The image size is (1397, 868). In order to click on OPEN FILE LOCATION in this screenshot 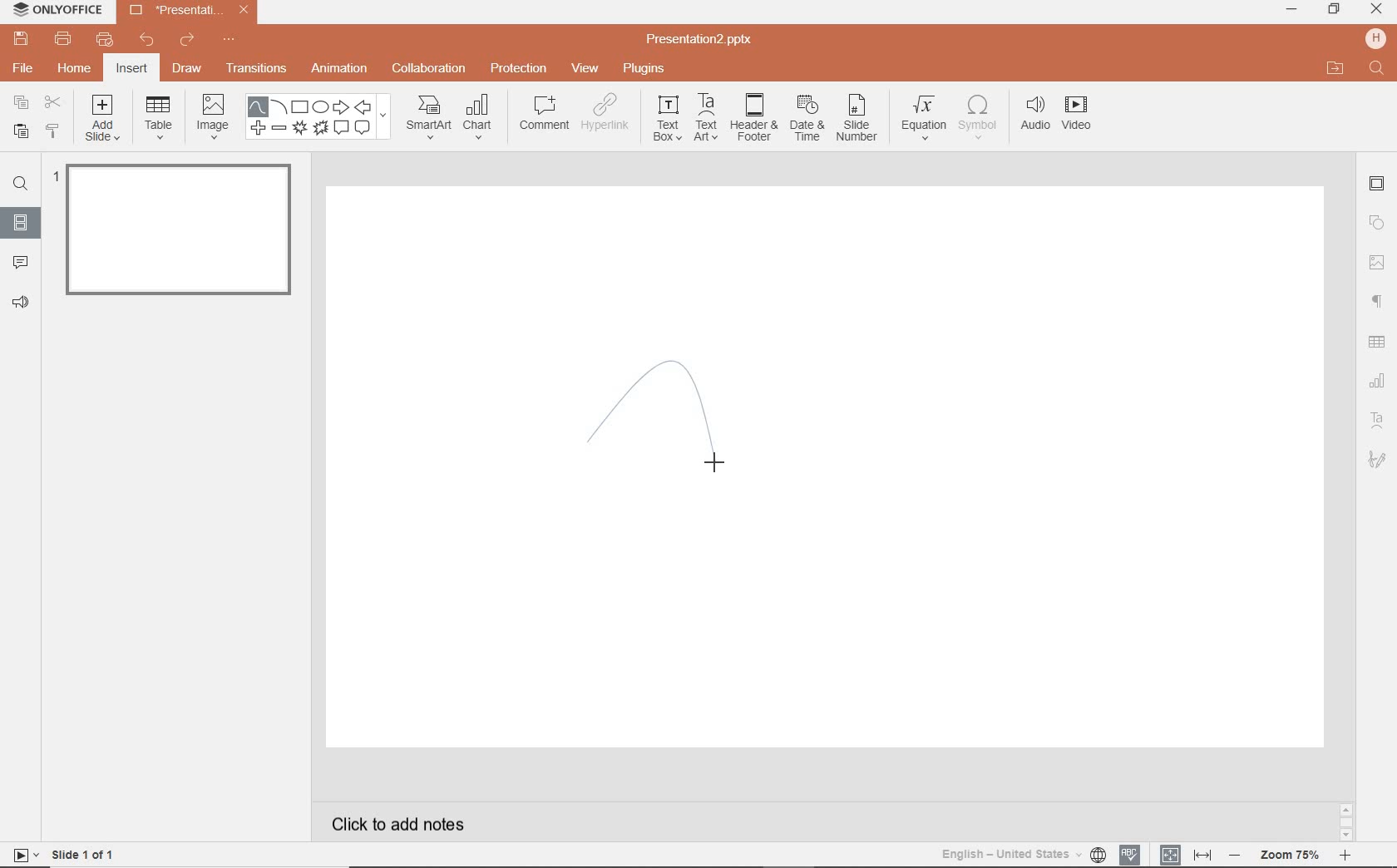, I will do `click(1335, 69)`.